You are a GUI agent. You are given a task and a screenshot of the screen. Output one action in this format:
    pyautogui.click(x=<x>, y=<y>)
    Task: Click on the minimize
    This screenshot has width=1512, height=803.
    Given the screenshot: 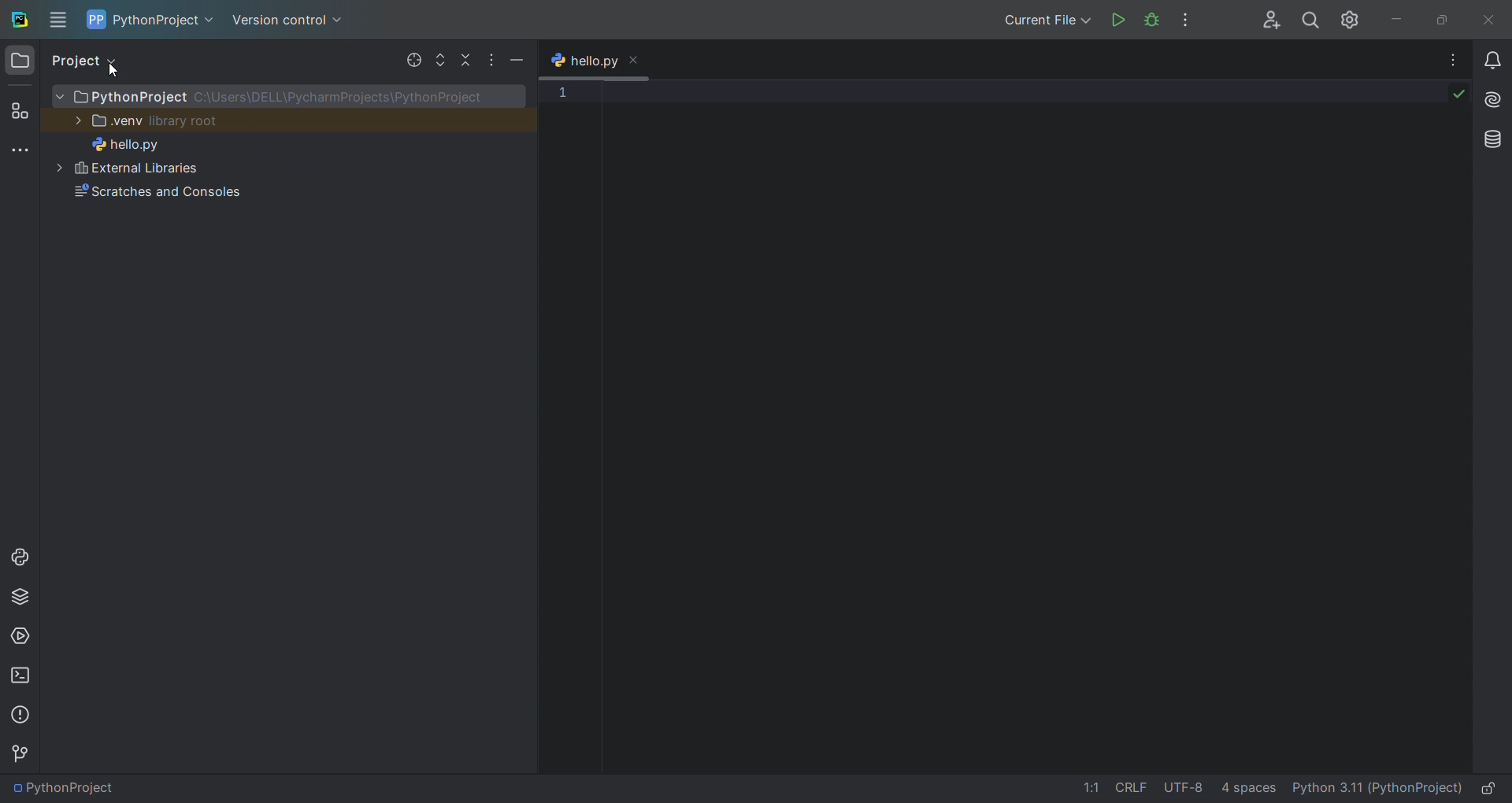 What is the action you would take?
    pyautogui.click(x=519, y=58)
    